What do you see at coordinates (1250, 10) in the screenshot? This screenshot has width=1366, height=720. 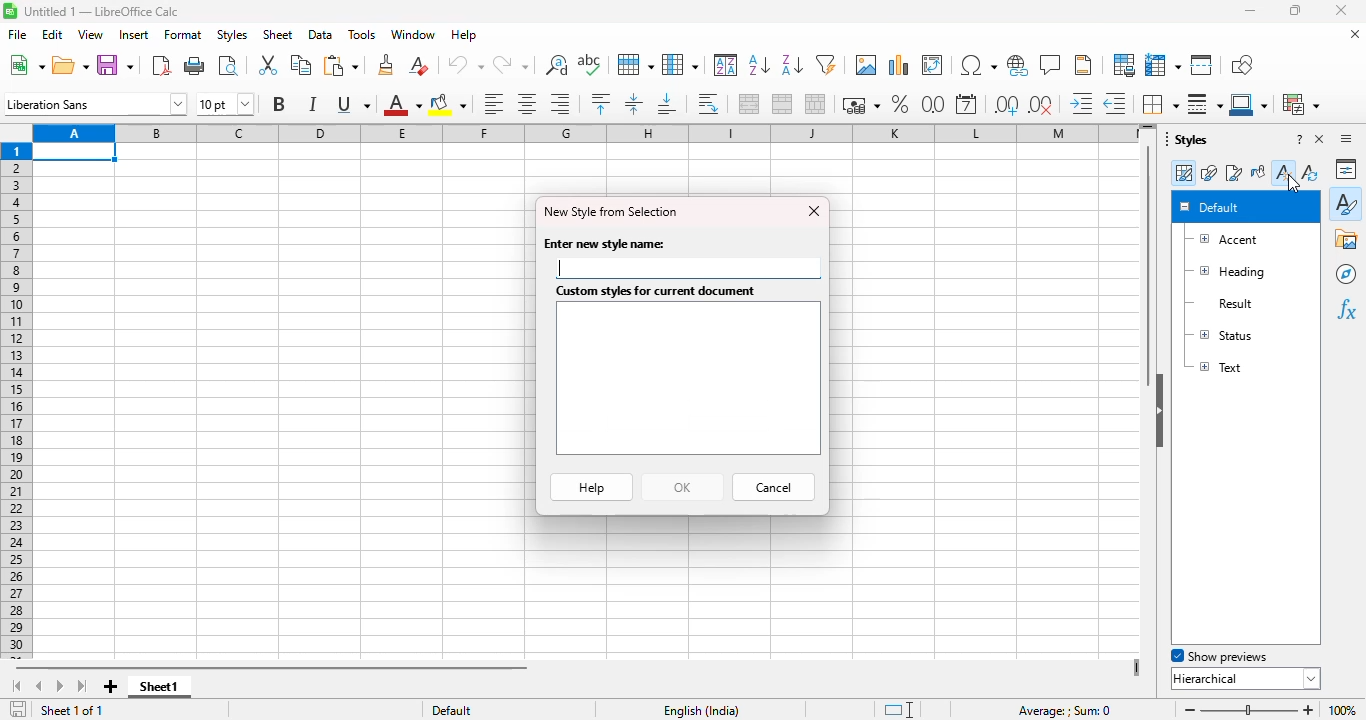 I see `minimize` at bounding box center [1250, 10].